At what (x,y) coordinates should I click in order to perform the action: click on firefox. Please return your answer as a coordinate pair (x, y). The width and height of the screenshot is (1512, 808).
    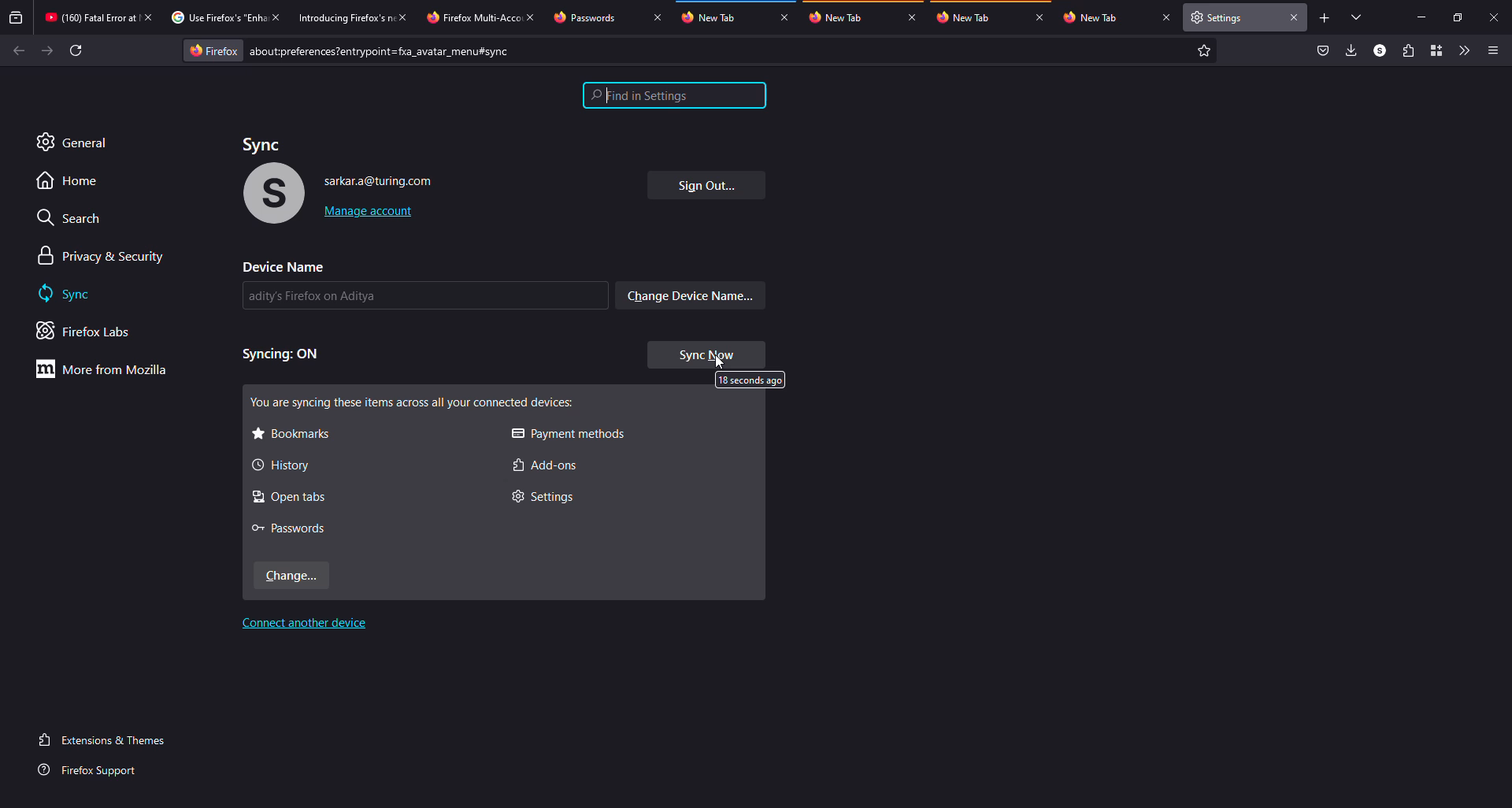
    Looking at the image, I should click on (213, 50).